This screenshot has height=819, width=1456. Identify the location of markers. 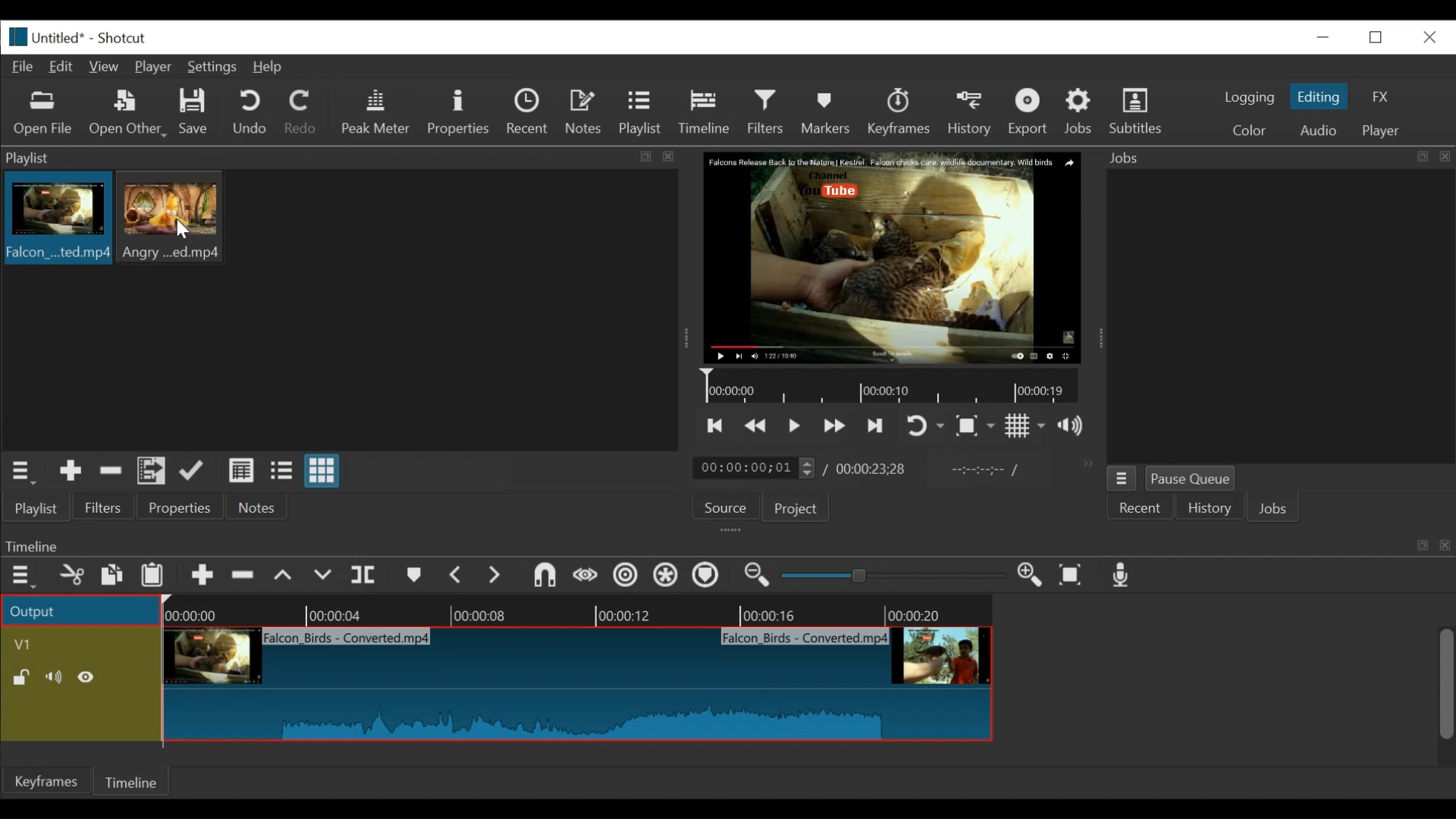
(413, 579).